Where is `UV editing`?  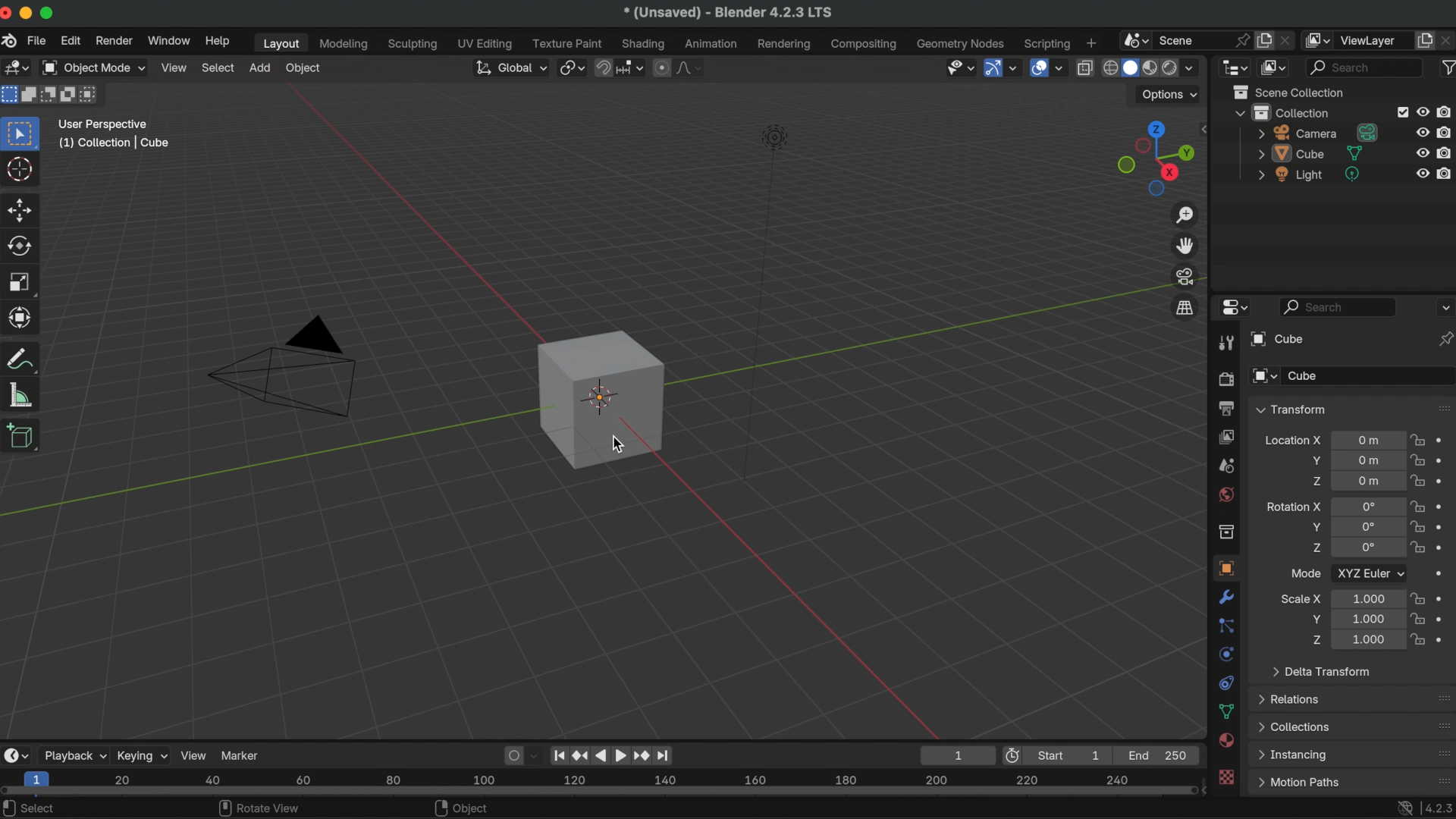
UV editing is located at coordinates (486, 43).